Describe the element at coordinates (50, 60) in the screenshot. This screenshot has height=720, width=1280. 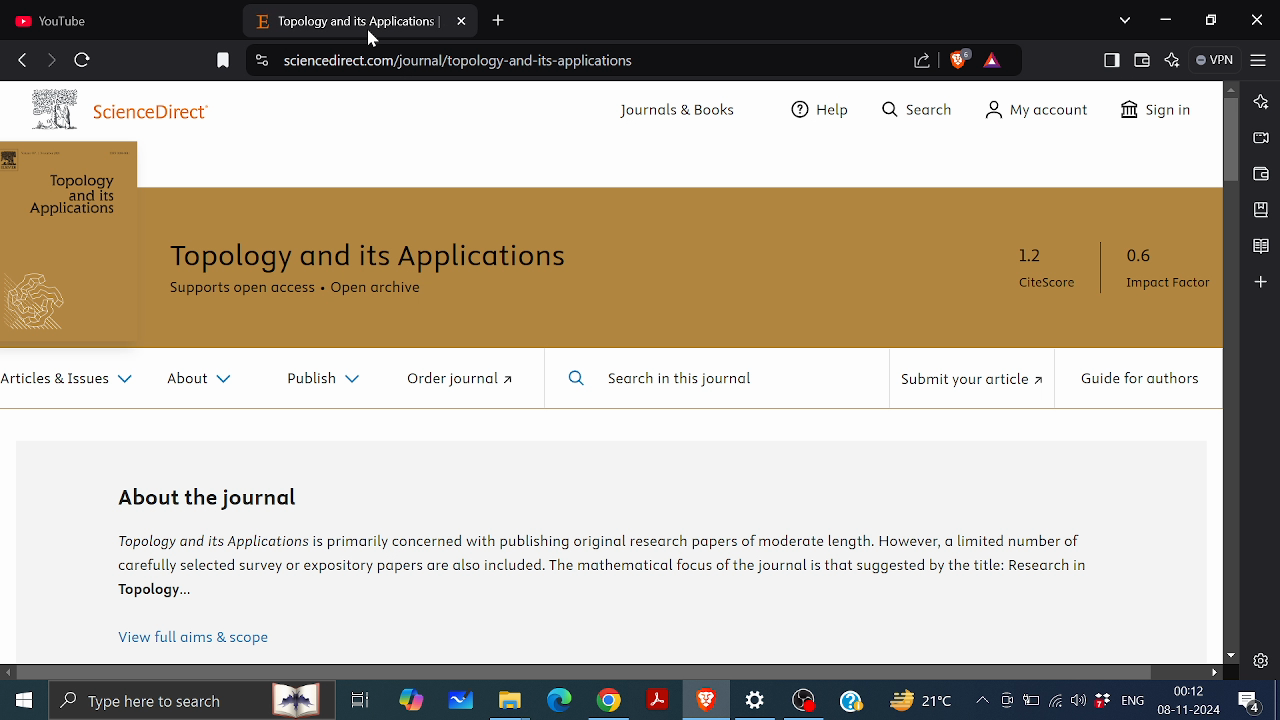
I see `move forward` at that location.